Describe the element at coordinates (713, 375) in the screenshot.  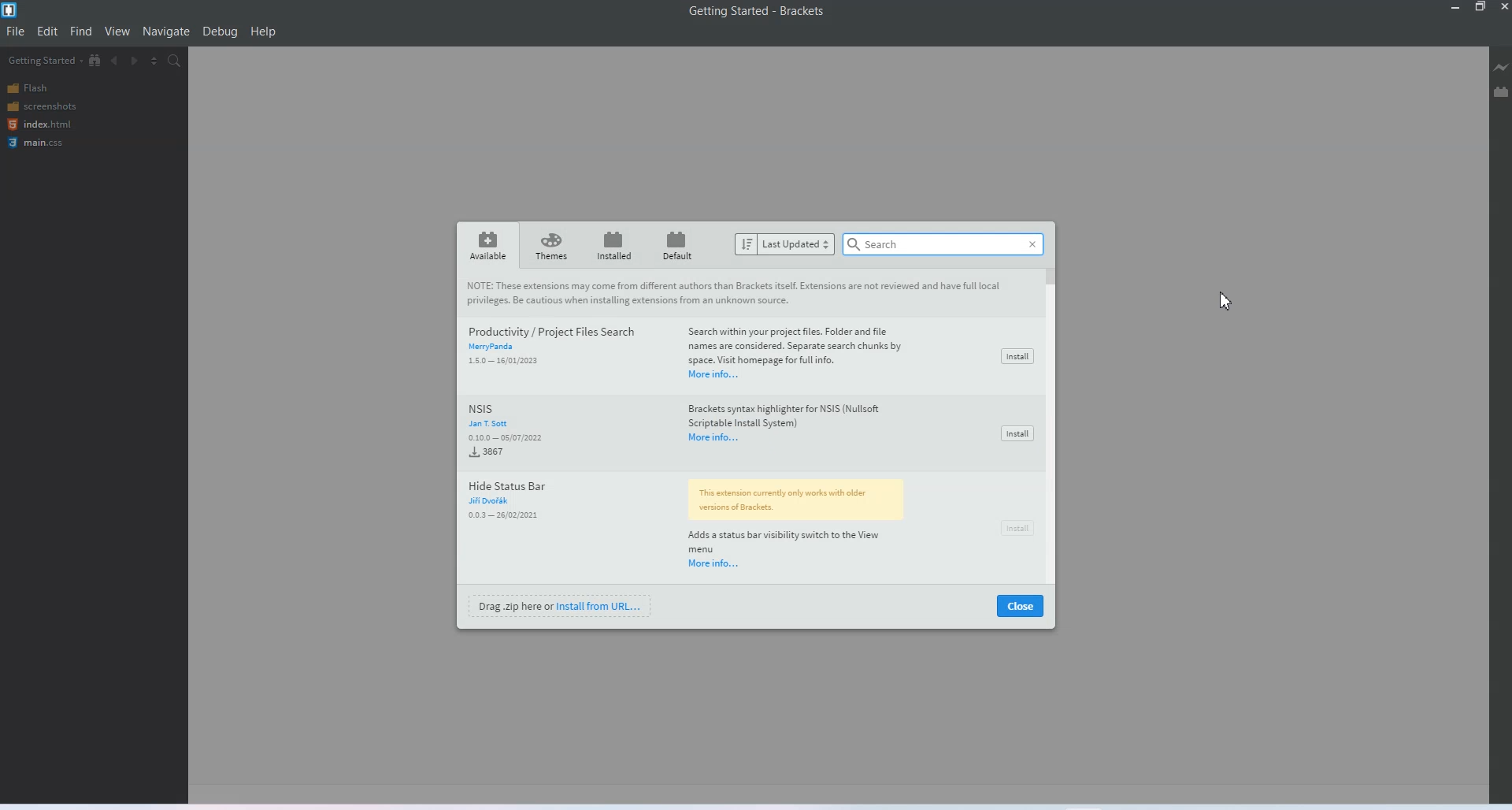
I see `More info..` at that location.